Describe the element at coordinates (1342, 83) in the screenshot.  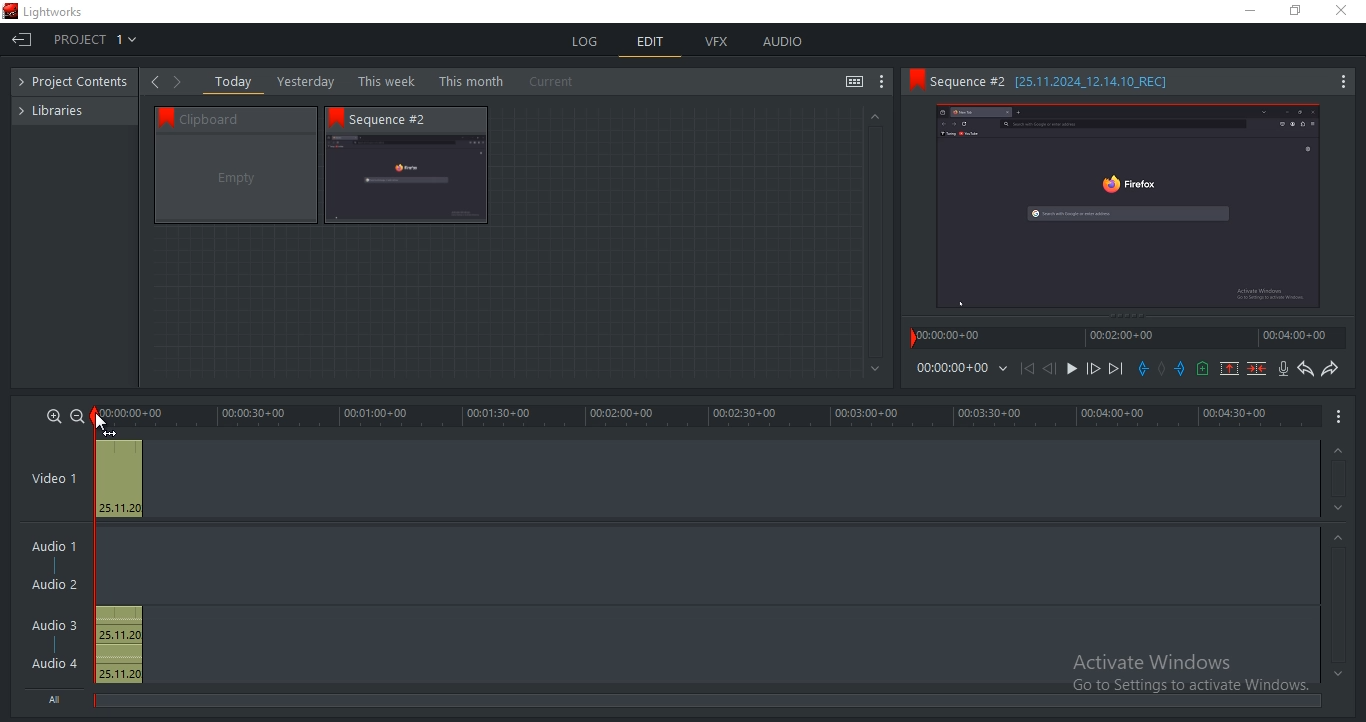
I see `Show settings menu` at that location.